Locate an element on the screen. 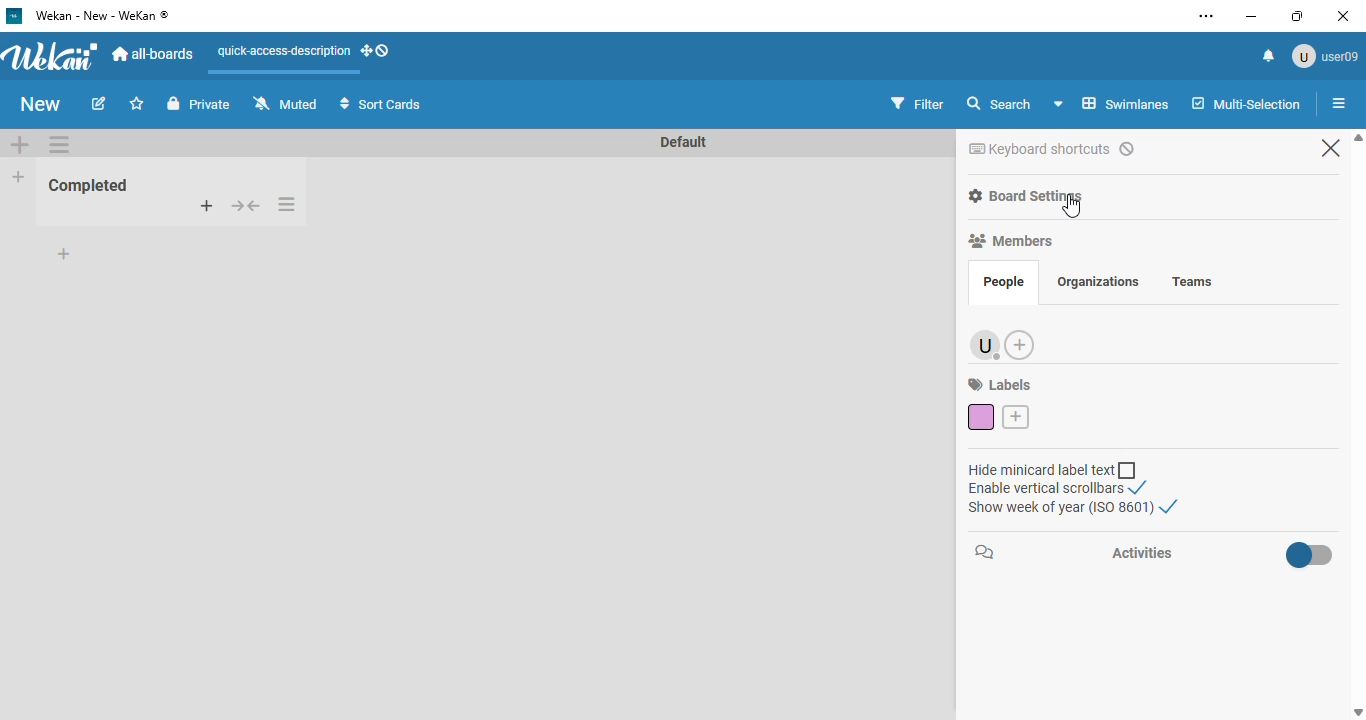 The height and width of the screenshot is (720, 1366). enable activities is located at coordinates (1311, 554).